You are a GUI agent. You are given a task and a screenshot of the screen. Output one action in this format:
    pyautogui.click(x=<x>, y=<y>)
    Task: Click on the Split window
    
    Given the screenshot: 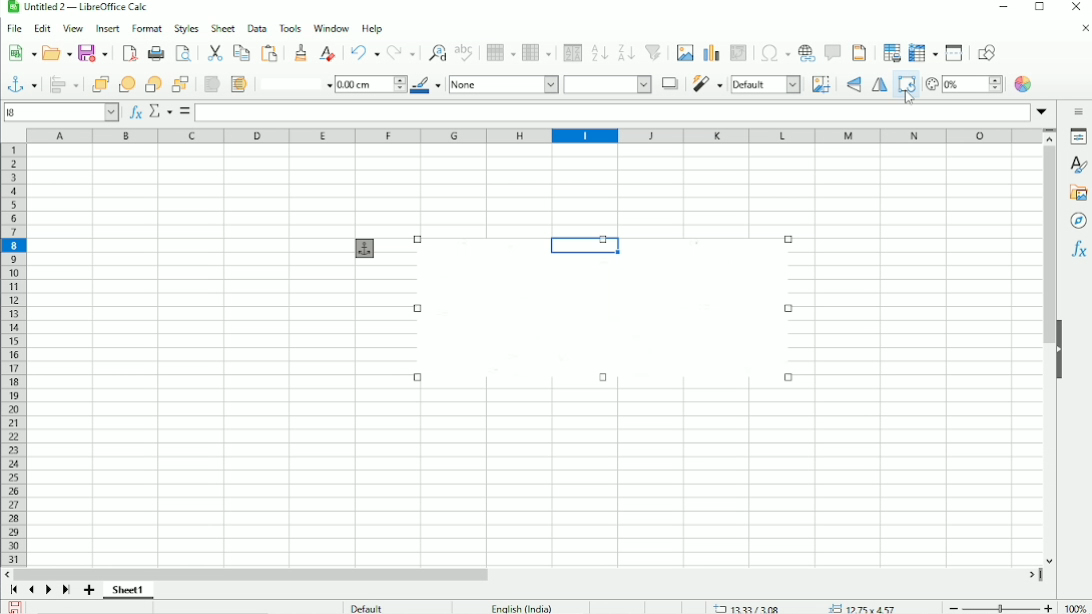 What is the action you would take?
    pyautogui.click(x=954, y=53)
    